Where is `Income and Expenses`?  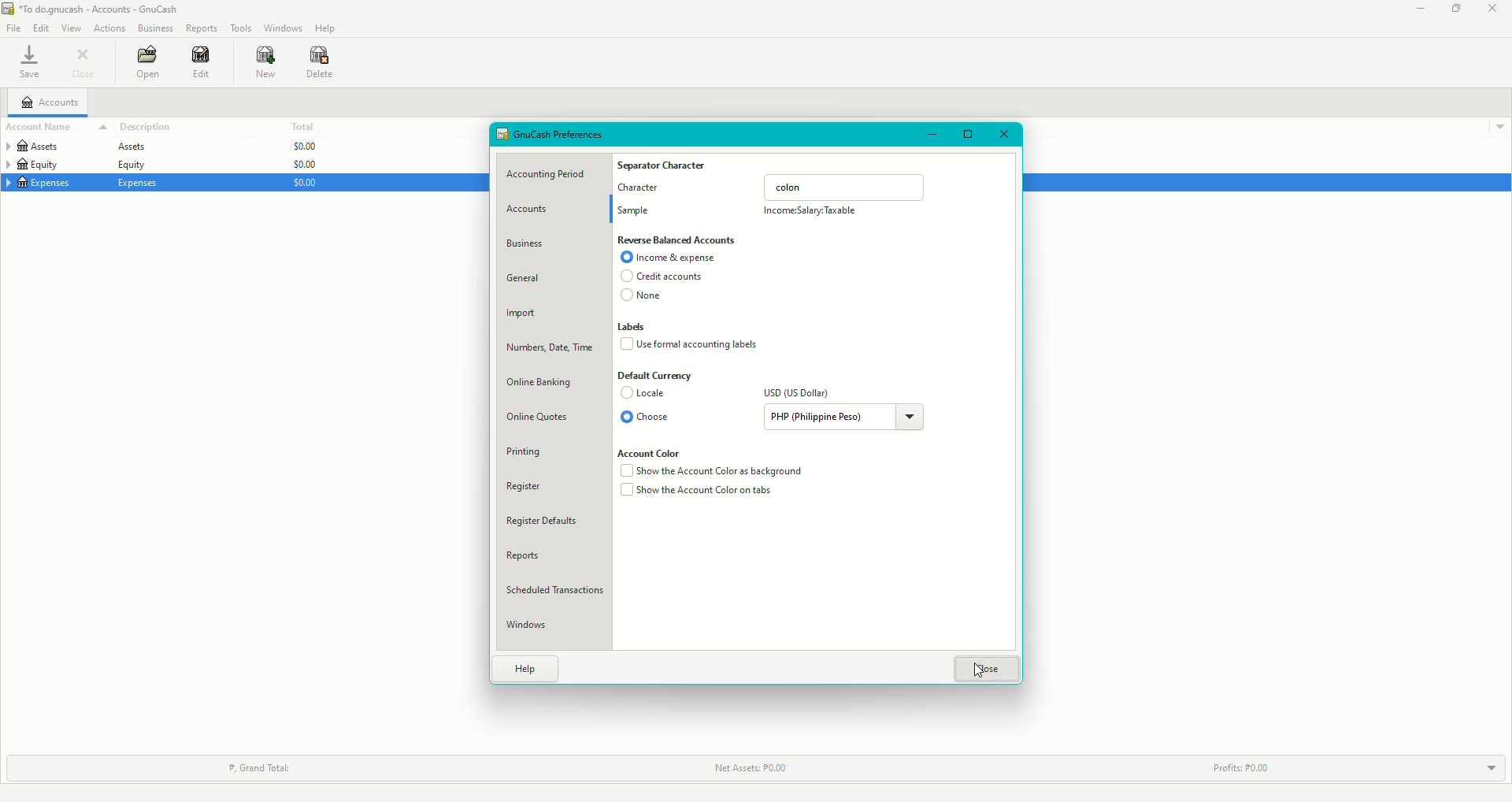 Income and Expenses is located at coordinates (672, 258).